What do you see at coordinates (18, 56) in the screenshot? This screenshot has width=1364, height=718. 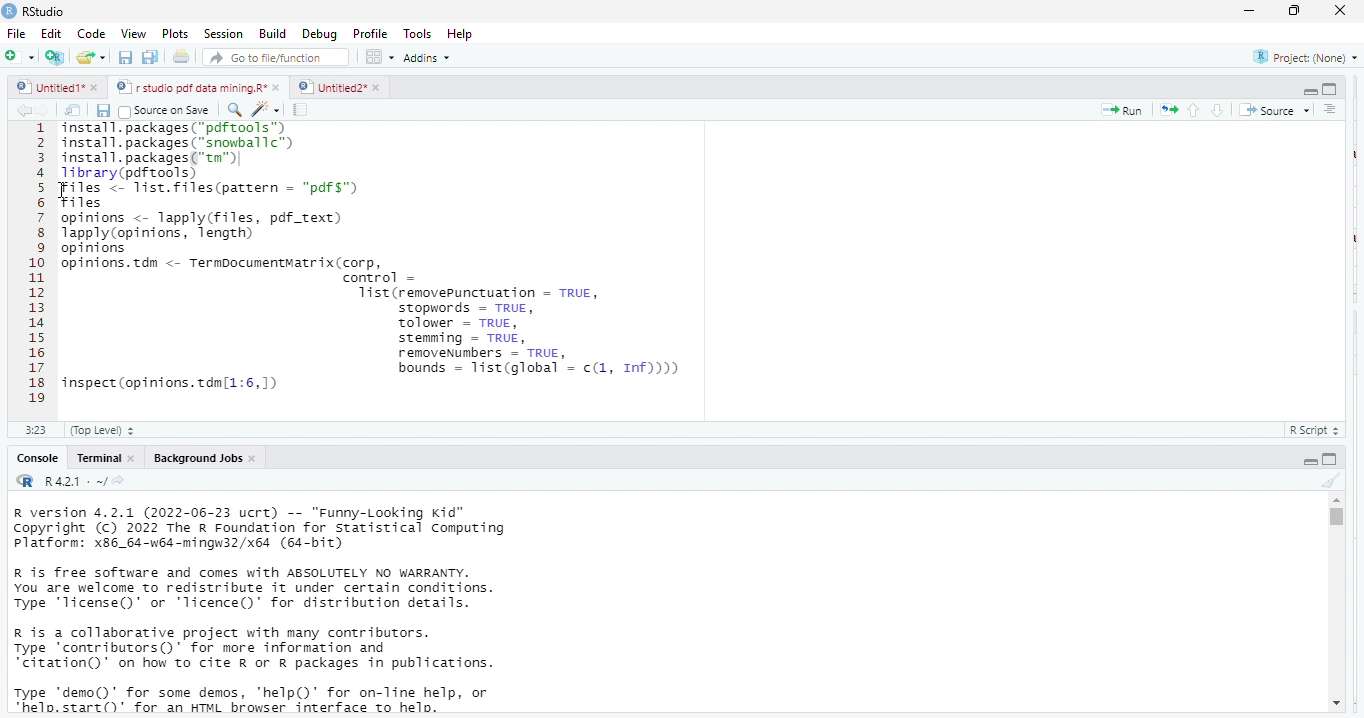 I see `new file` at bounding box center [18, 56].